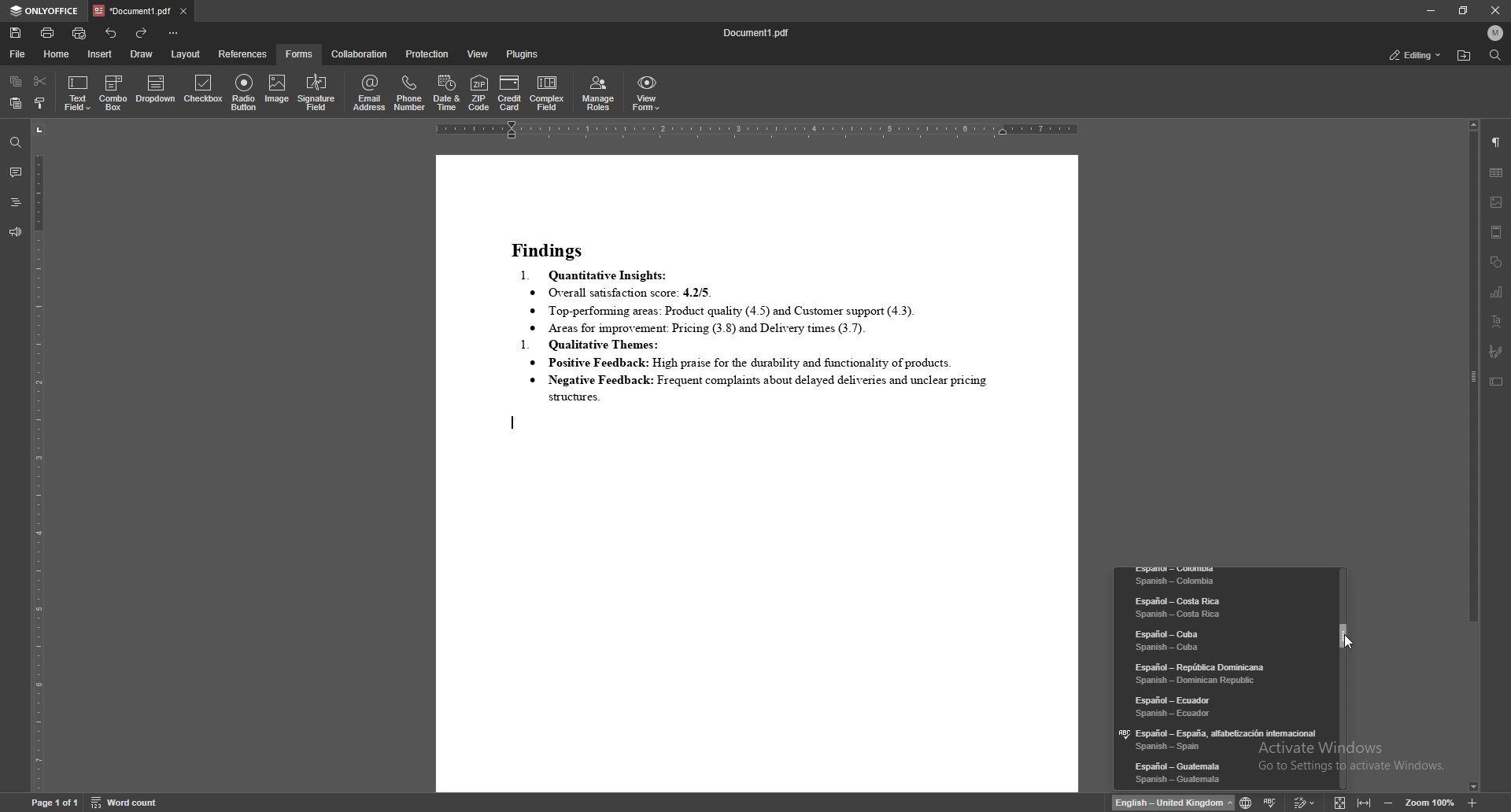  Describe the element at coordinates (131, 11) in the screenshot. I see `tab` at that location.